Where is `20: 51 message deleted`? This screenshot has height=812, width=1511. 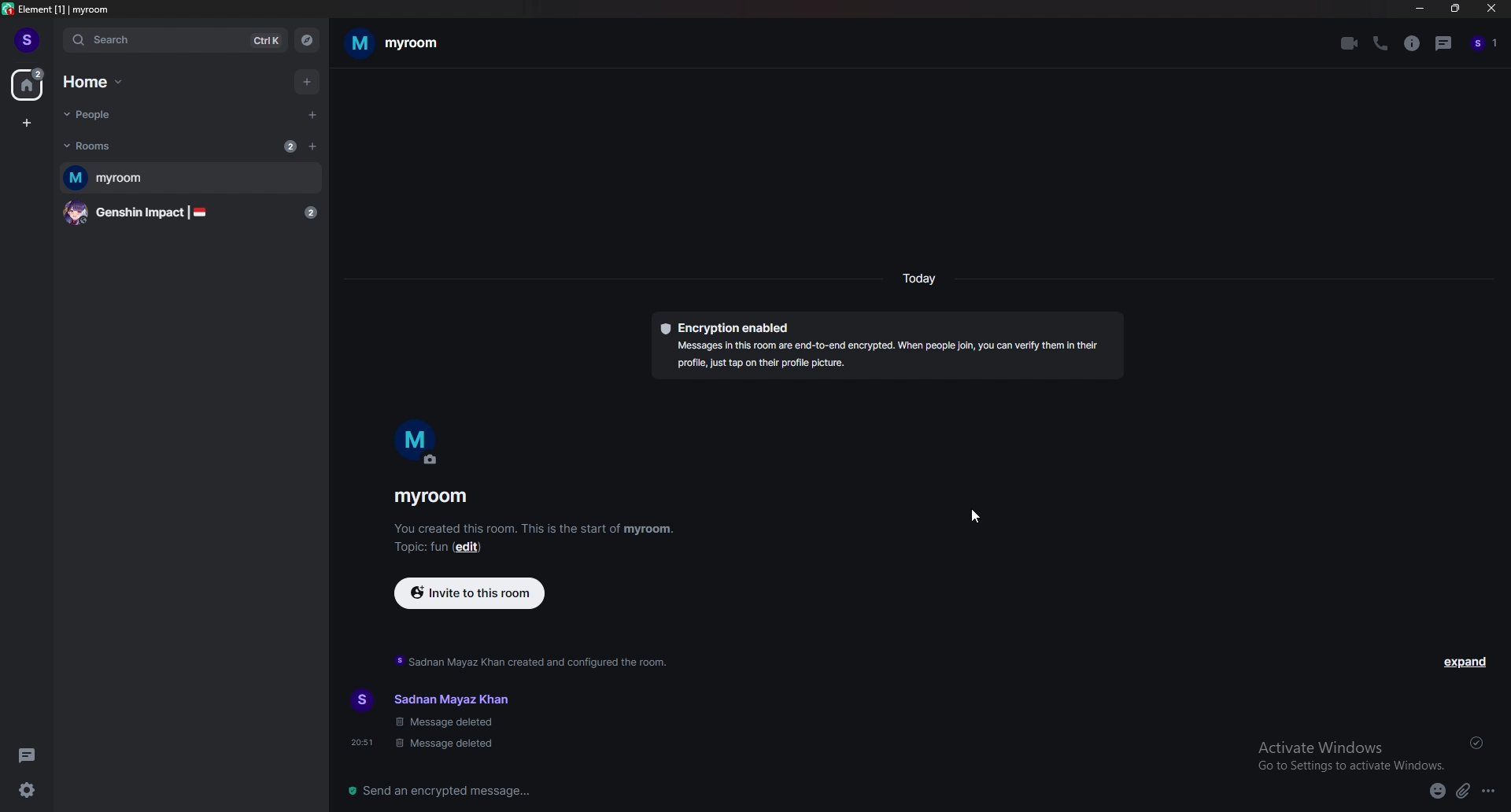 20: 51 message deleted is located at coordinates (434, 744).